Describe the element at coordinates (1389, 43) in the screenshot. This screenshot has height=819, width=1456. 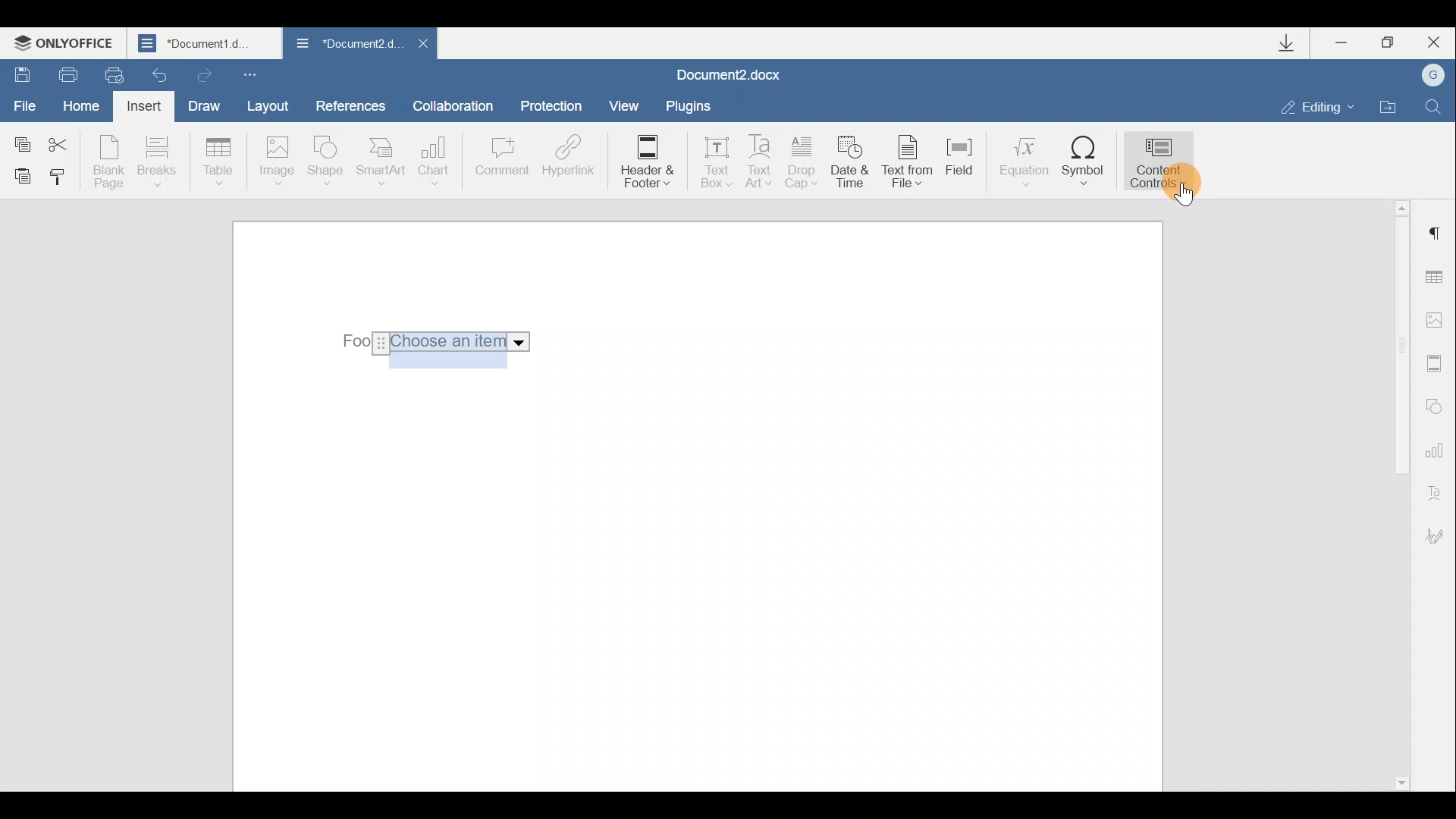
I see `Maximize` at that location.